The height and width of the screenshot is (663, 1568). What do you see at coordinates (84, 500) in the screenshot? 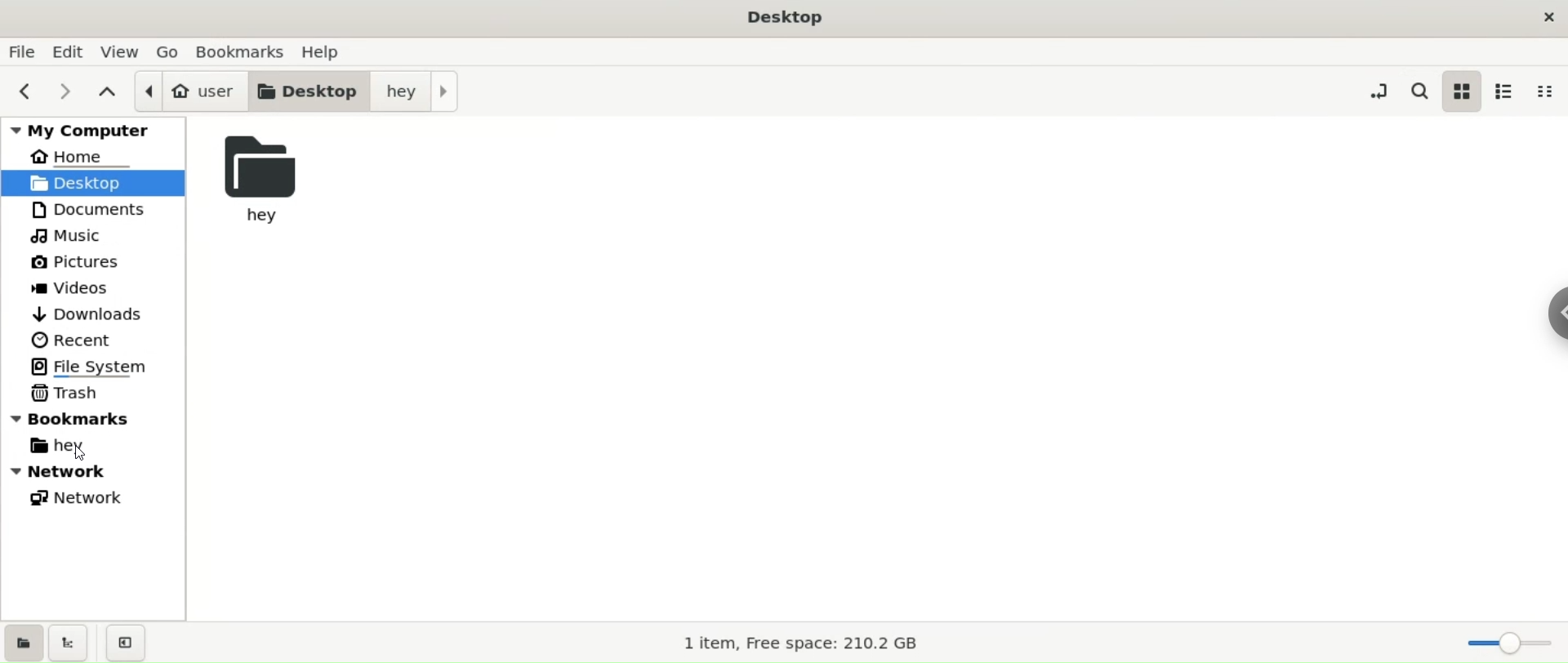
I see `network` at bounding box center [84, 500].